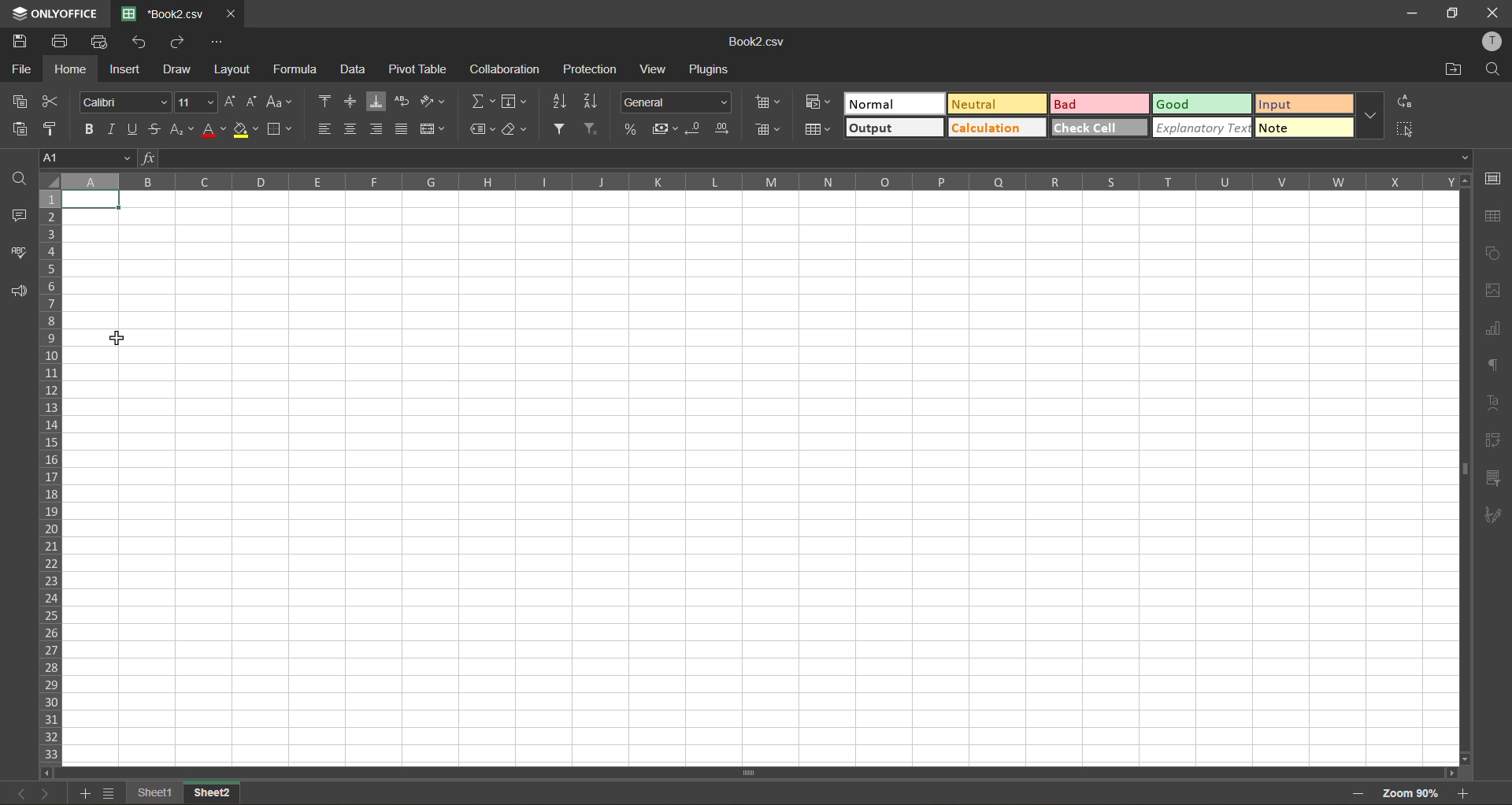 This screenshot has height=805, width=1512. I want to click on align middle, so click(354, 101).